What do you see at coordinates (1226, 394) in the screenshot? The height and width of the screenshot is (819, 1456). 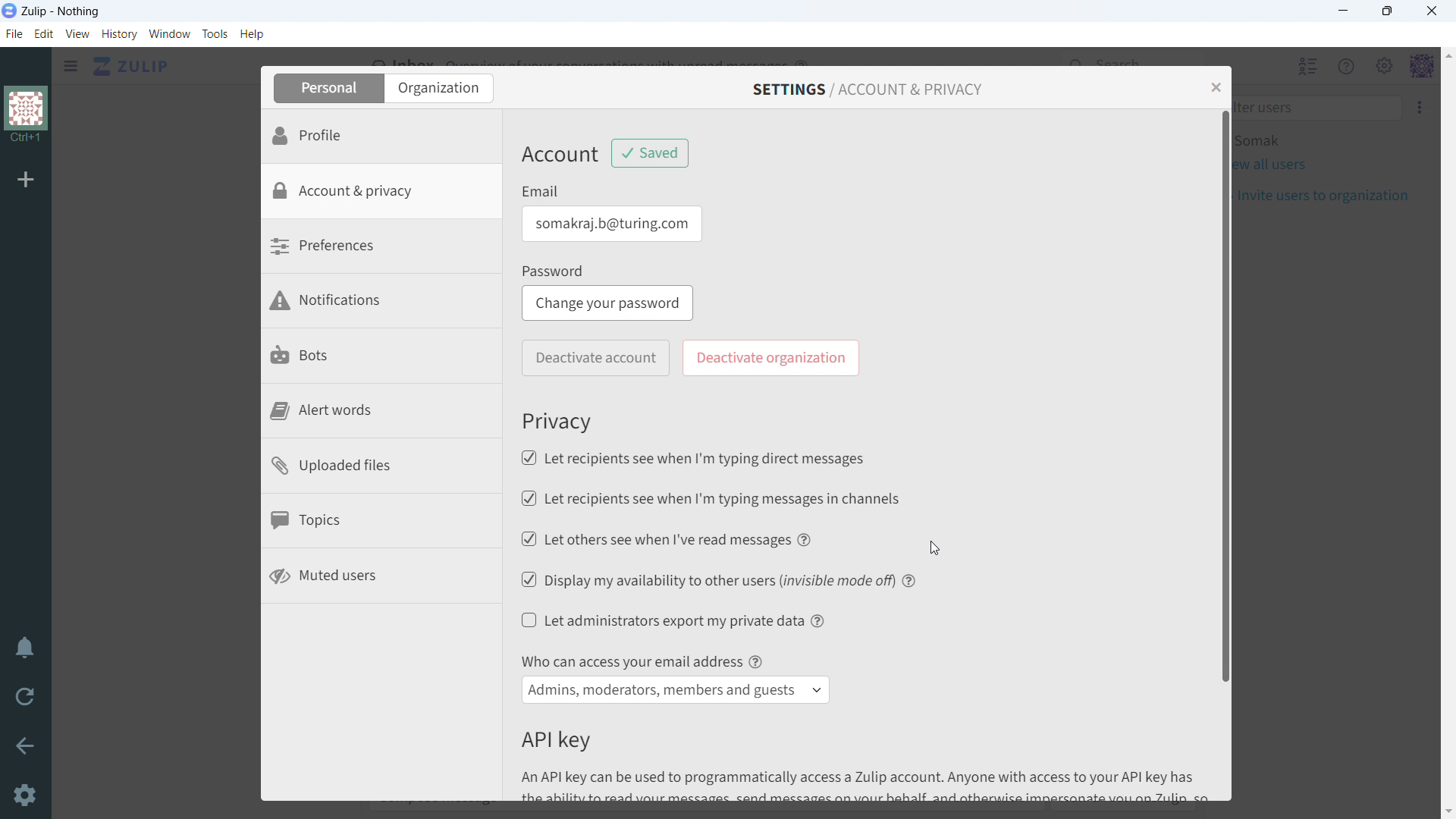 I see `scrollbar` at bounding box center [1226, 394].